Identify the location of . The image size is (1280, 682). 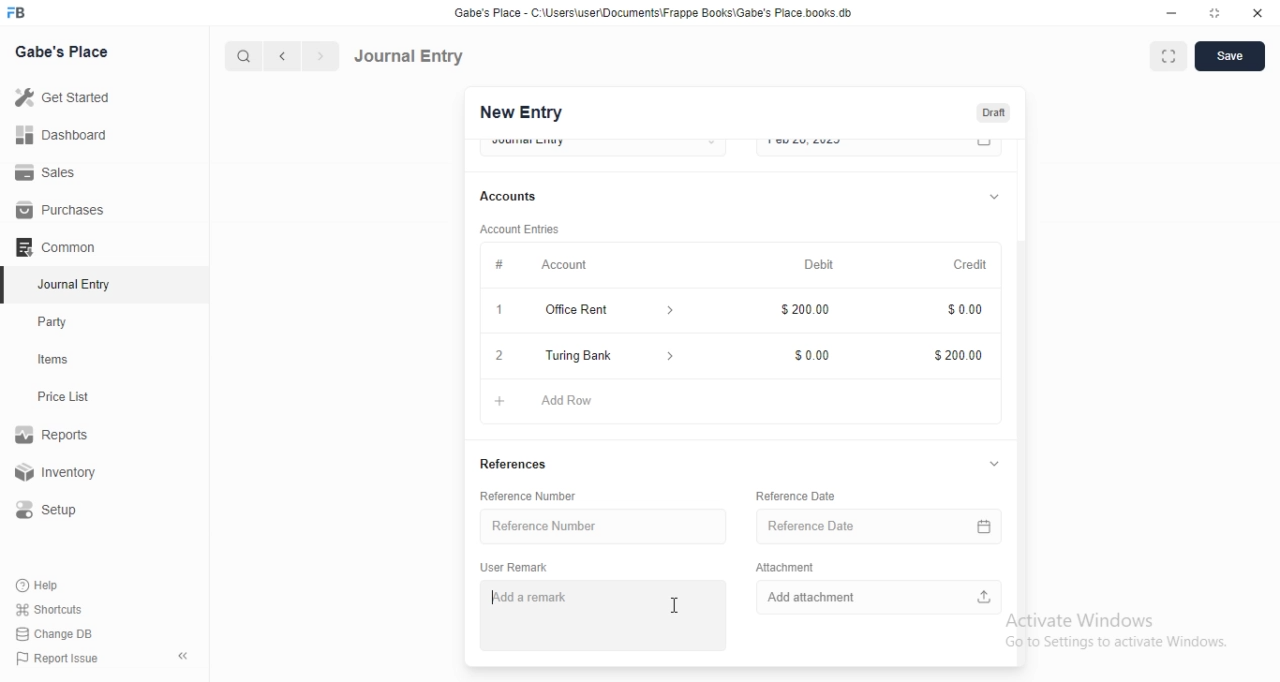
(500, 264).